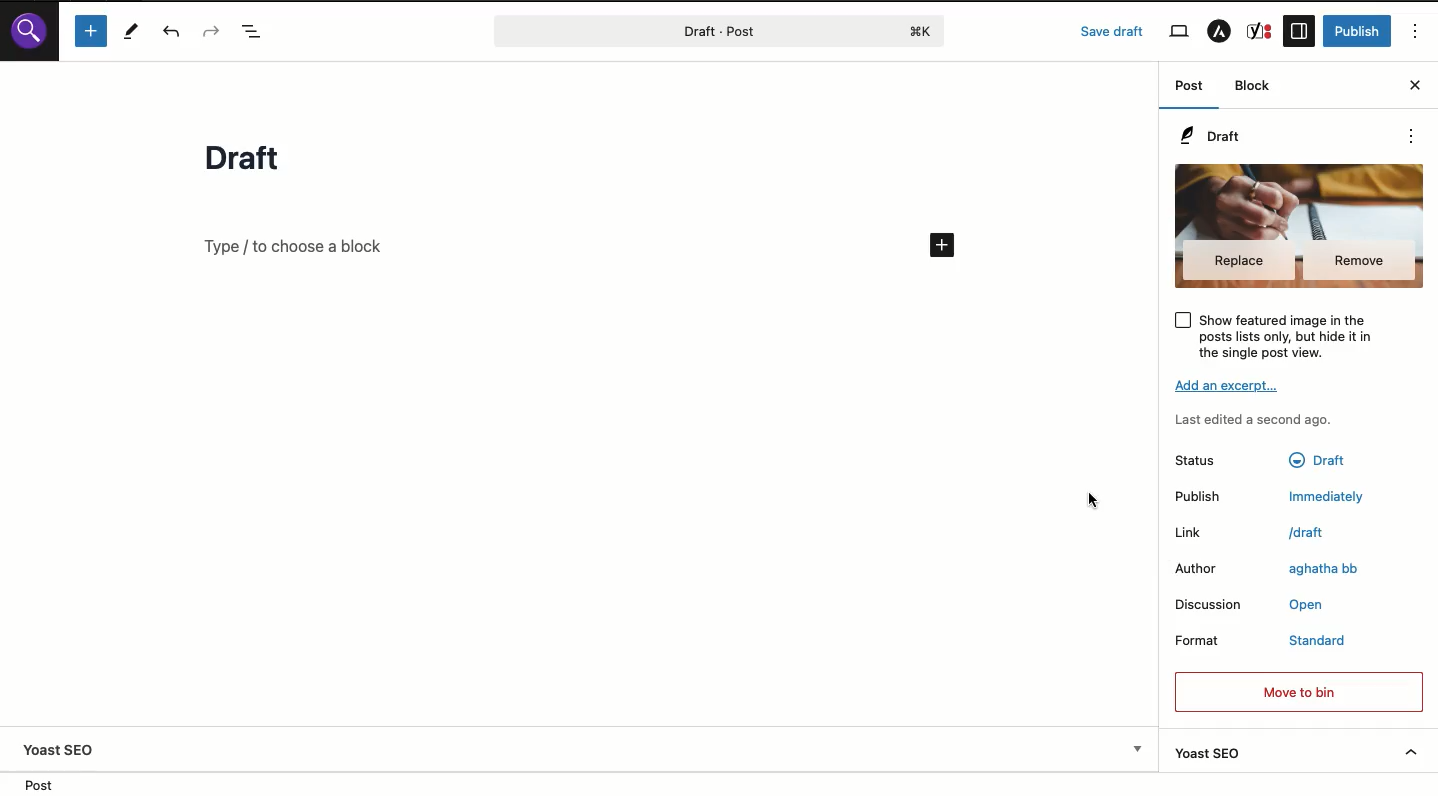 Image resolution: width=1438 pixels, height=796 pixels. I want to click on add, so click(941, 244).